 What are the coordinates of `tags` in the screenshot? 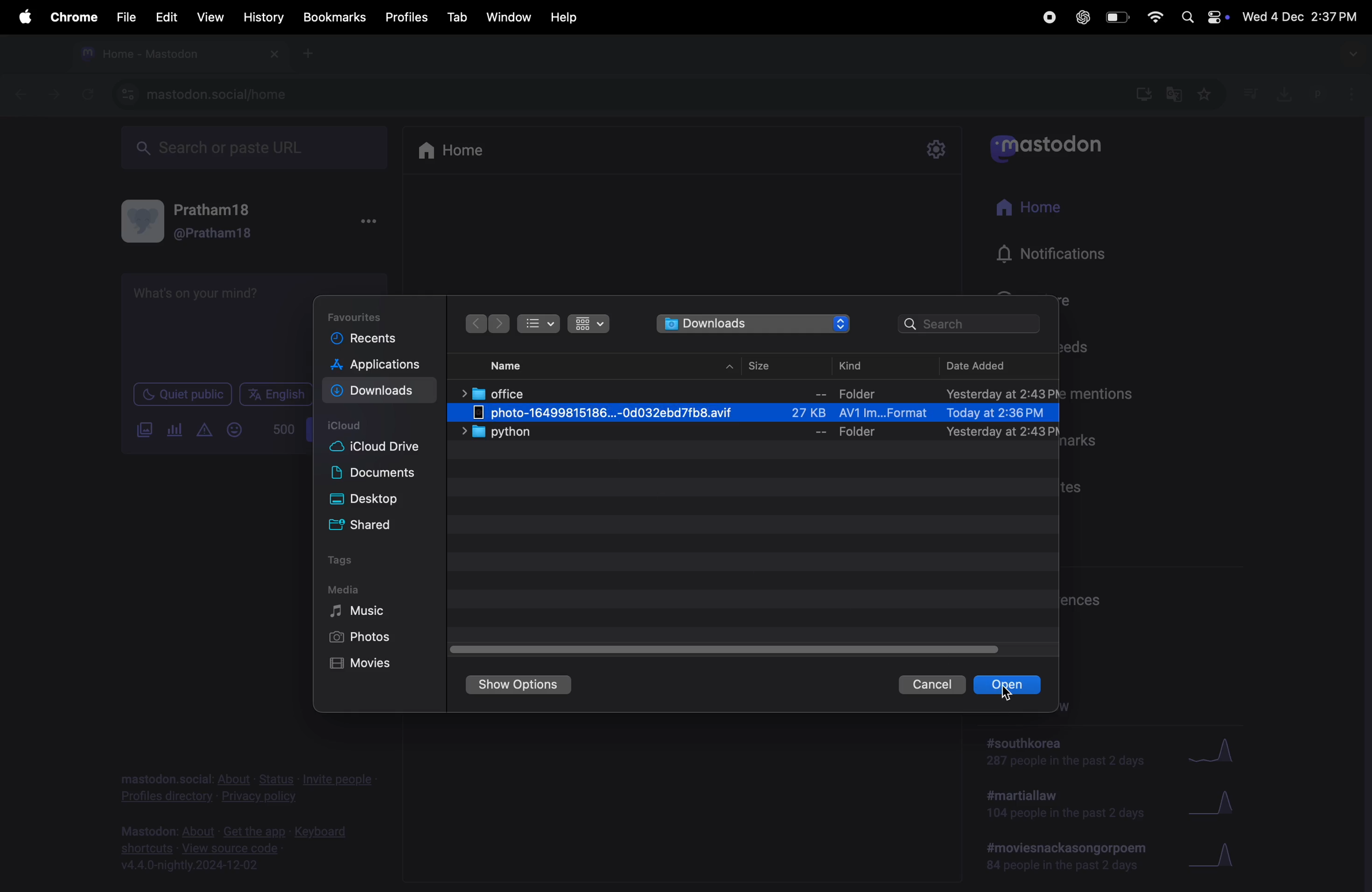 It's located at (346, 563).